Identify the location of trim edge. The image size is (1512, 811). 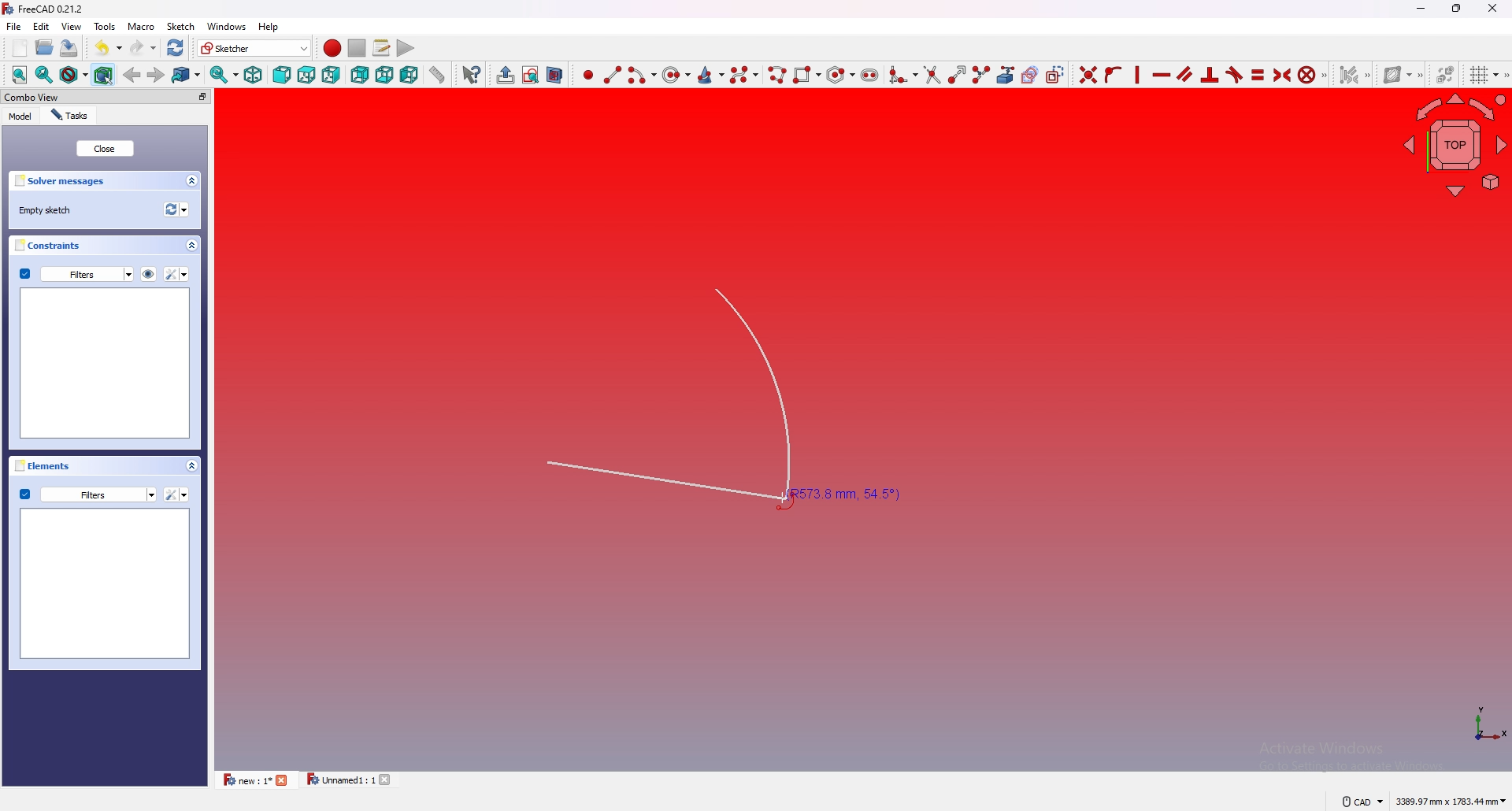
(930, 73).